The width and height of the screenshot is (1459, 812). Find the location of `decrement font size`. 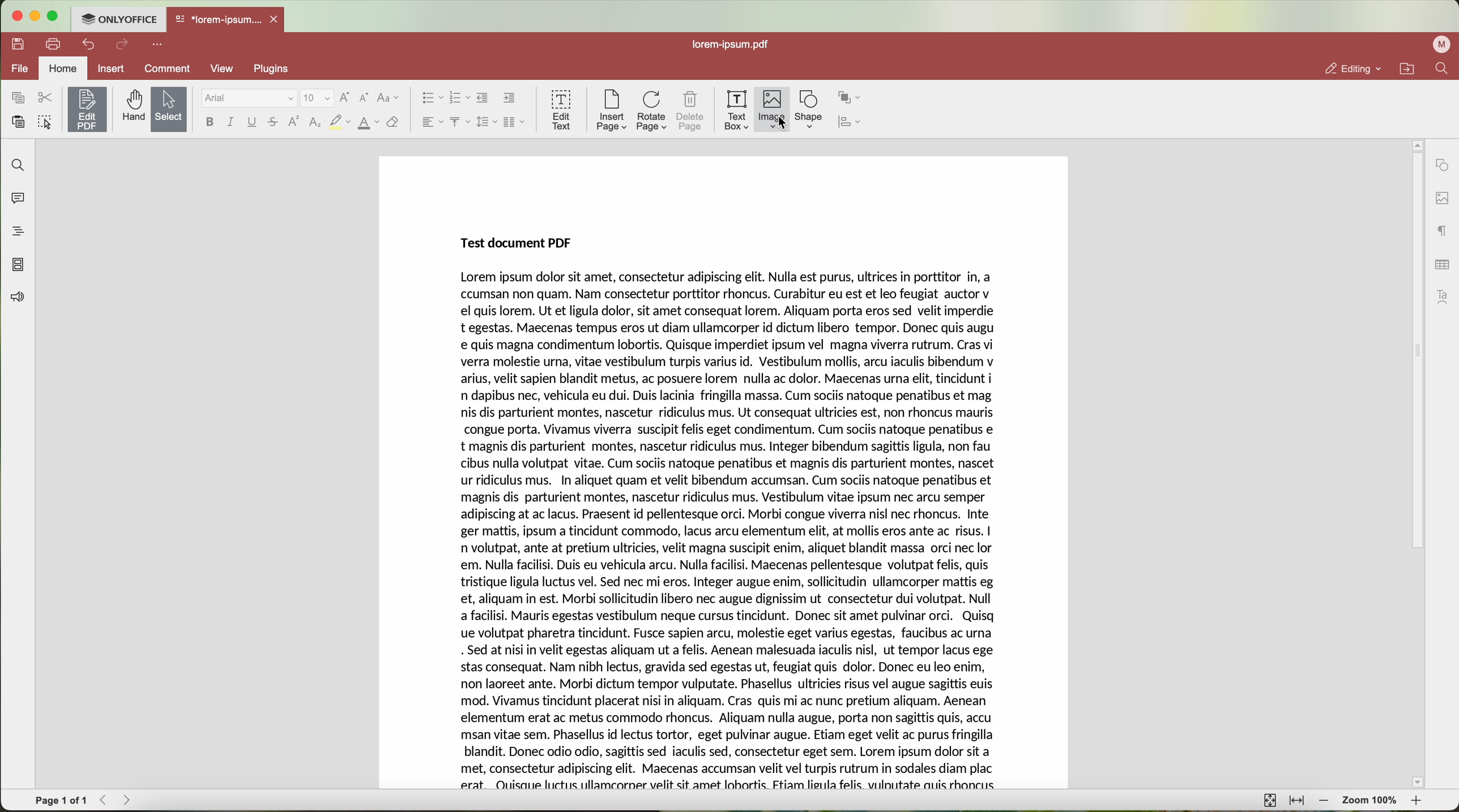

decrement font size is located at coordinates (364, 99).